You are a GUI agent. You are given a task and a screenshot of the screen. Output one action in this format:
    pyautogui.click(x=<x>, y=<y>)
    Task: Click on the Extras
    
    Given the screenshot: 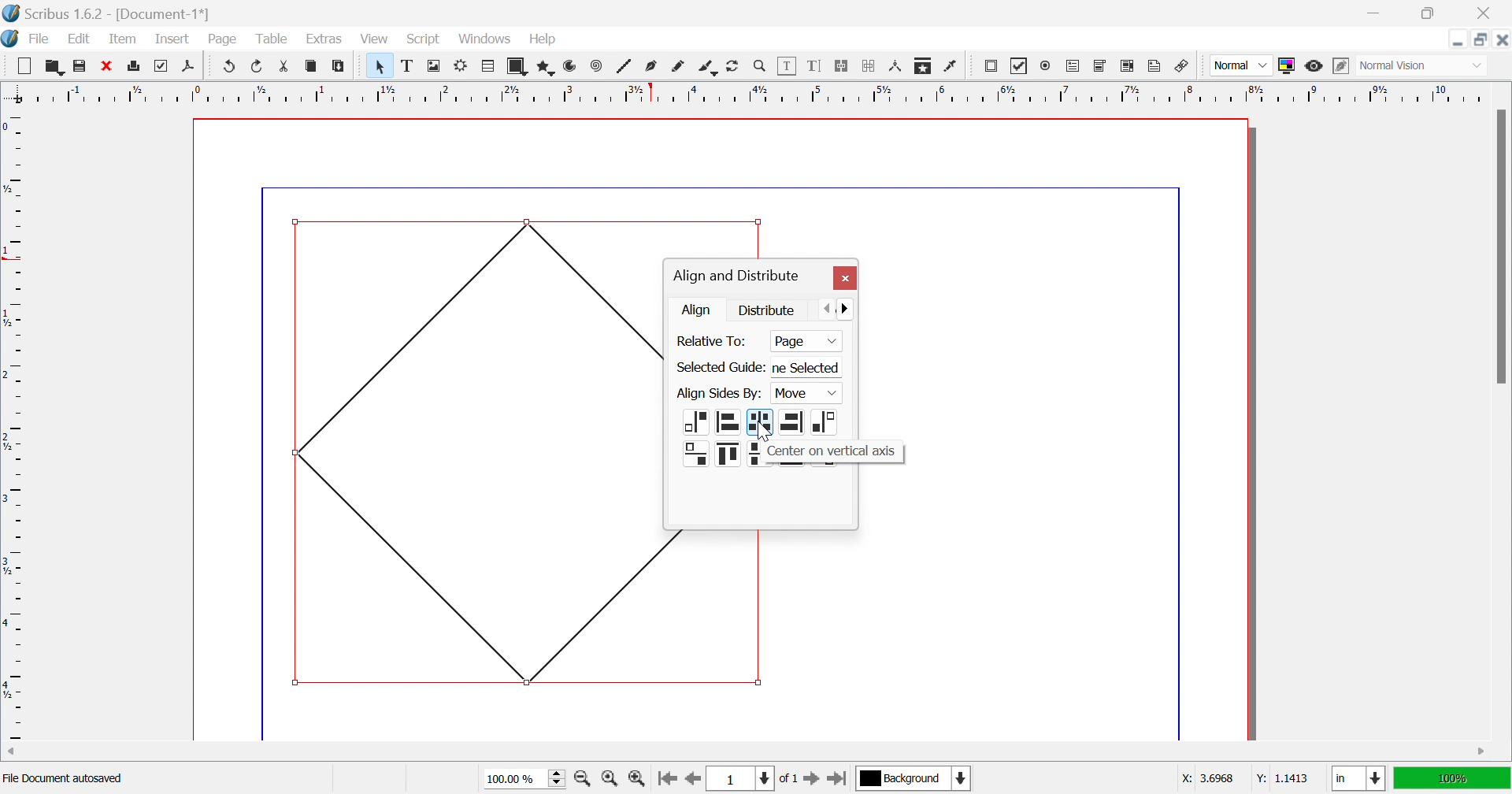 What is the action you would take?
    pyautogui.click(x=324, y=39)
    